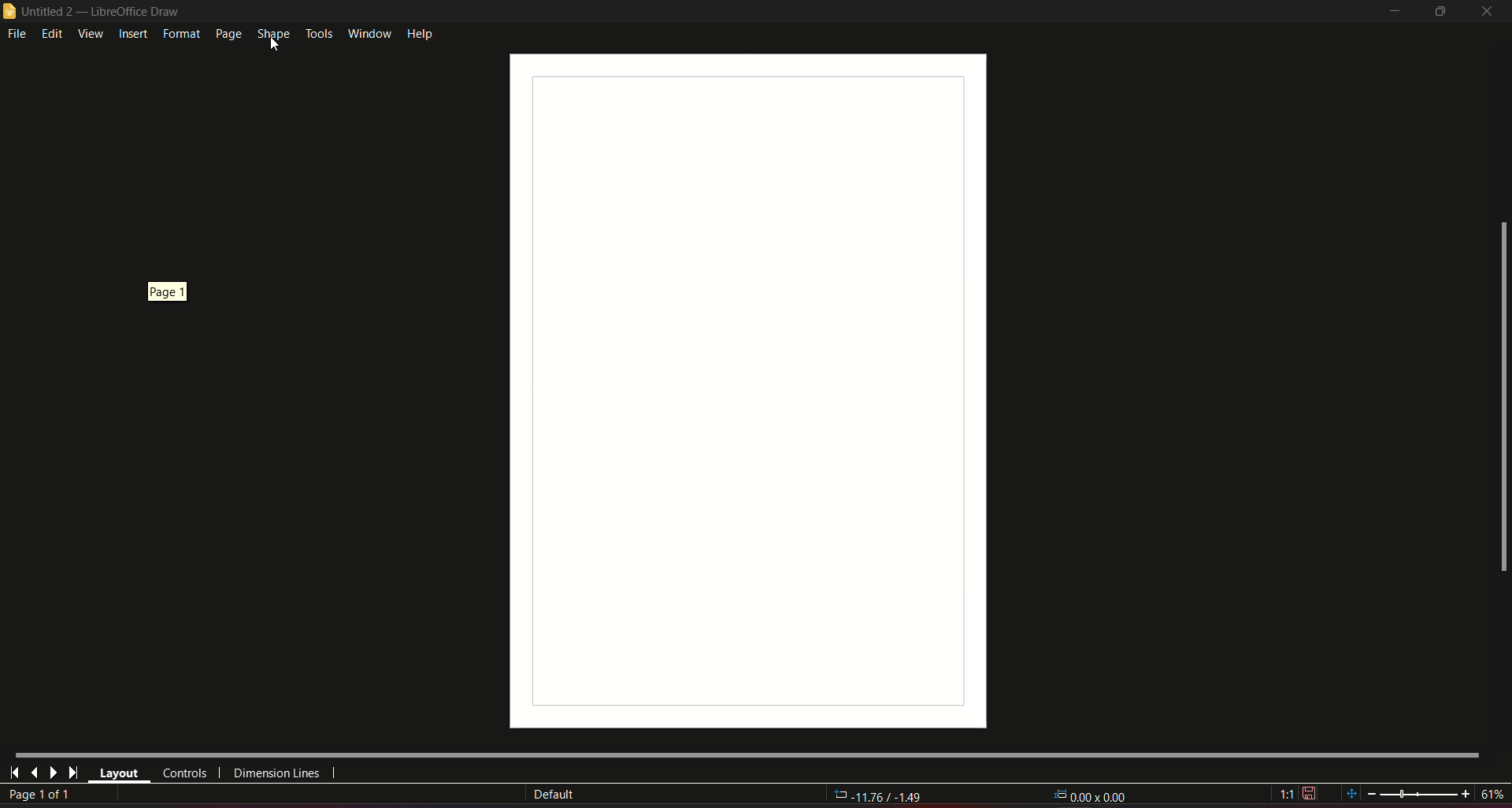 Image resolution: width=1512 pixels, height=808 pixels. What do you see at coordinates (227, 34) in the screenshot?
I see `page` at bounding box center [227, 34].